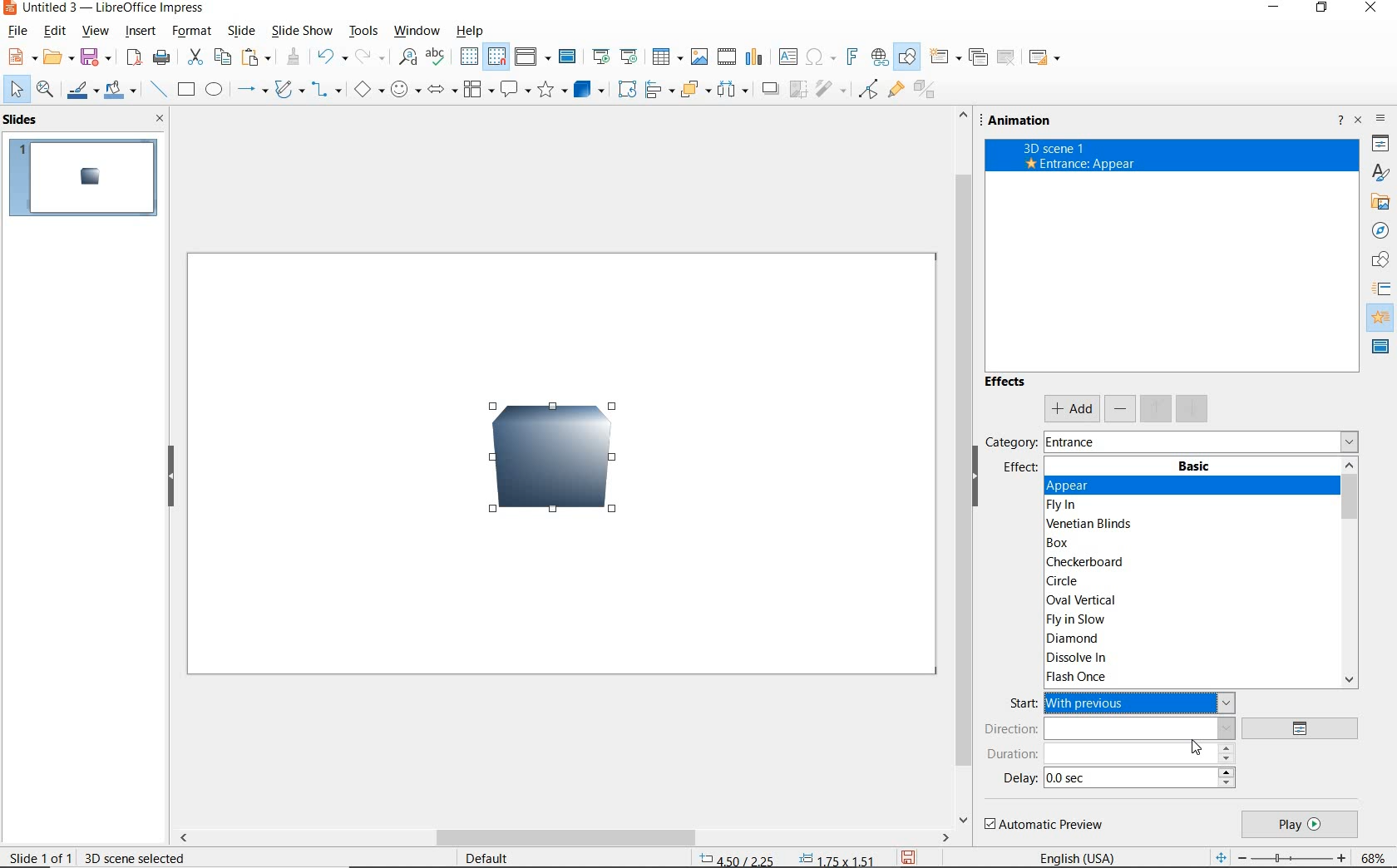 The height and width of the screenshot is (868, 1397). Describe the element at coordinates (1200, 749) in the screenshot. I see `cursor` at that location.